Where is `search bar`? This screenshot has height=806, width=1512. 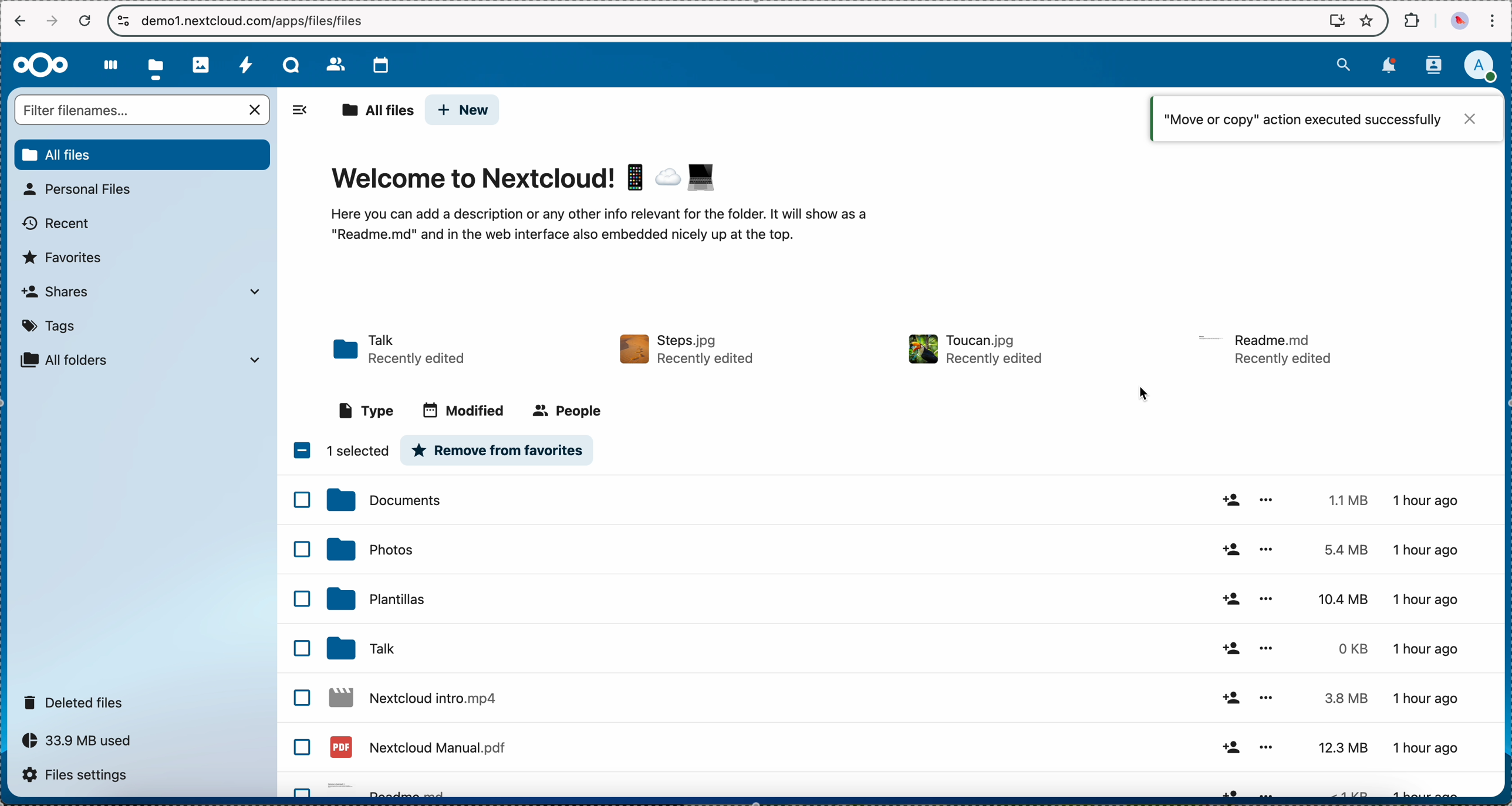 search bar is located at coordinates (144, 110).